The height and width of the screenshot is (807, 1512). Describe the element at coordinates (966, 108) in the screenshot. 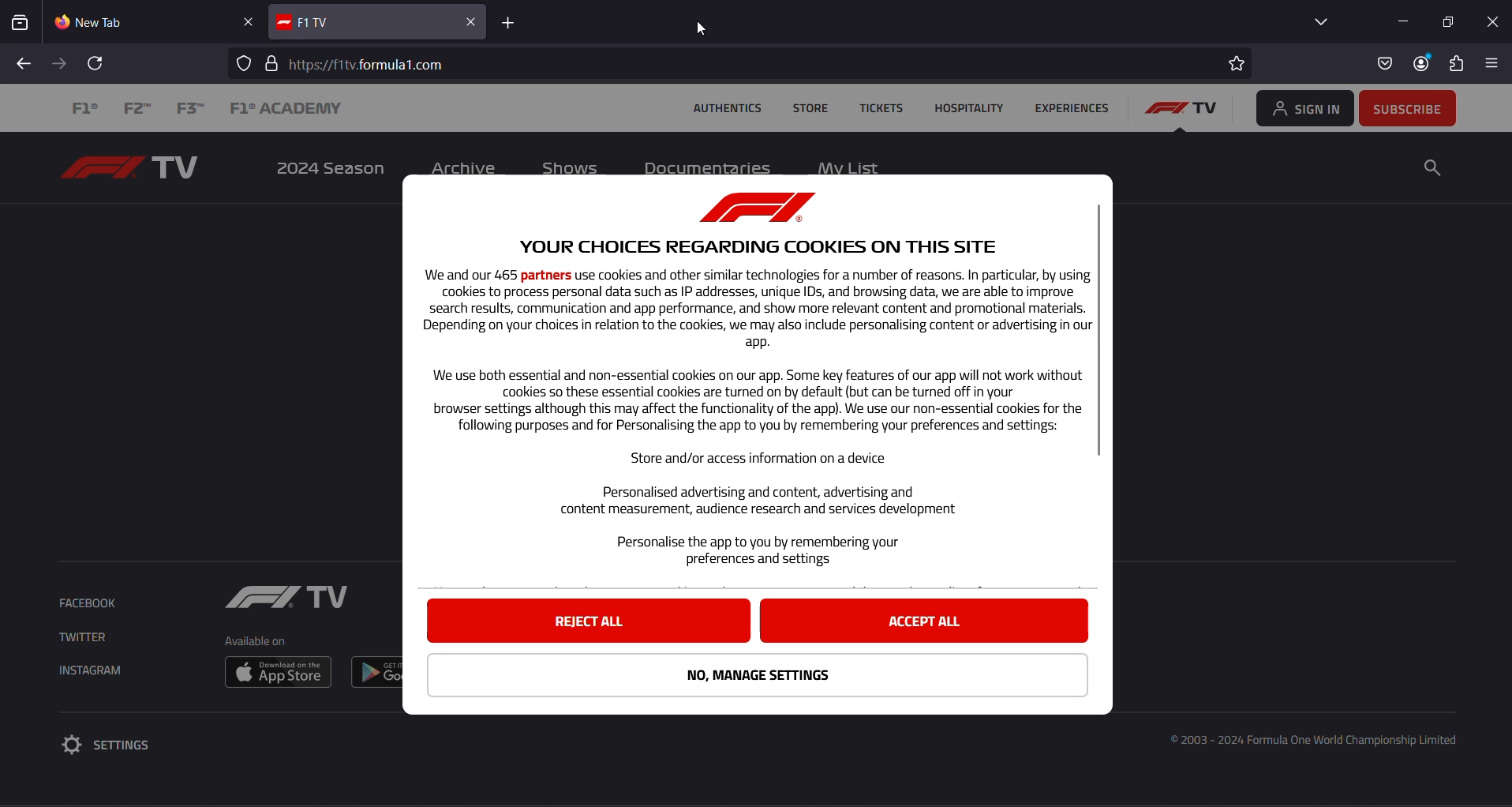

I see `hospitality` at that location.